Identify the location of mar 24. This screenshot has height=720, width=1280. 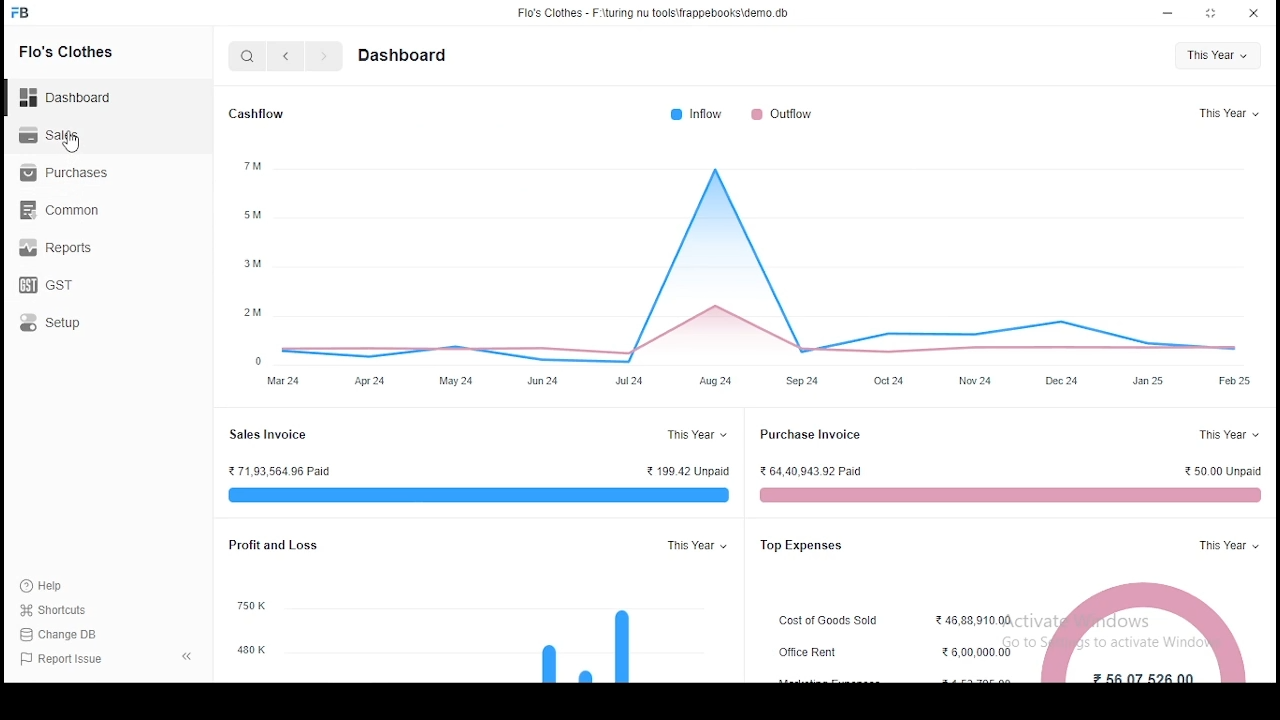
(282, 380).